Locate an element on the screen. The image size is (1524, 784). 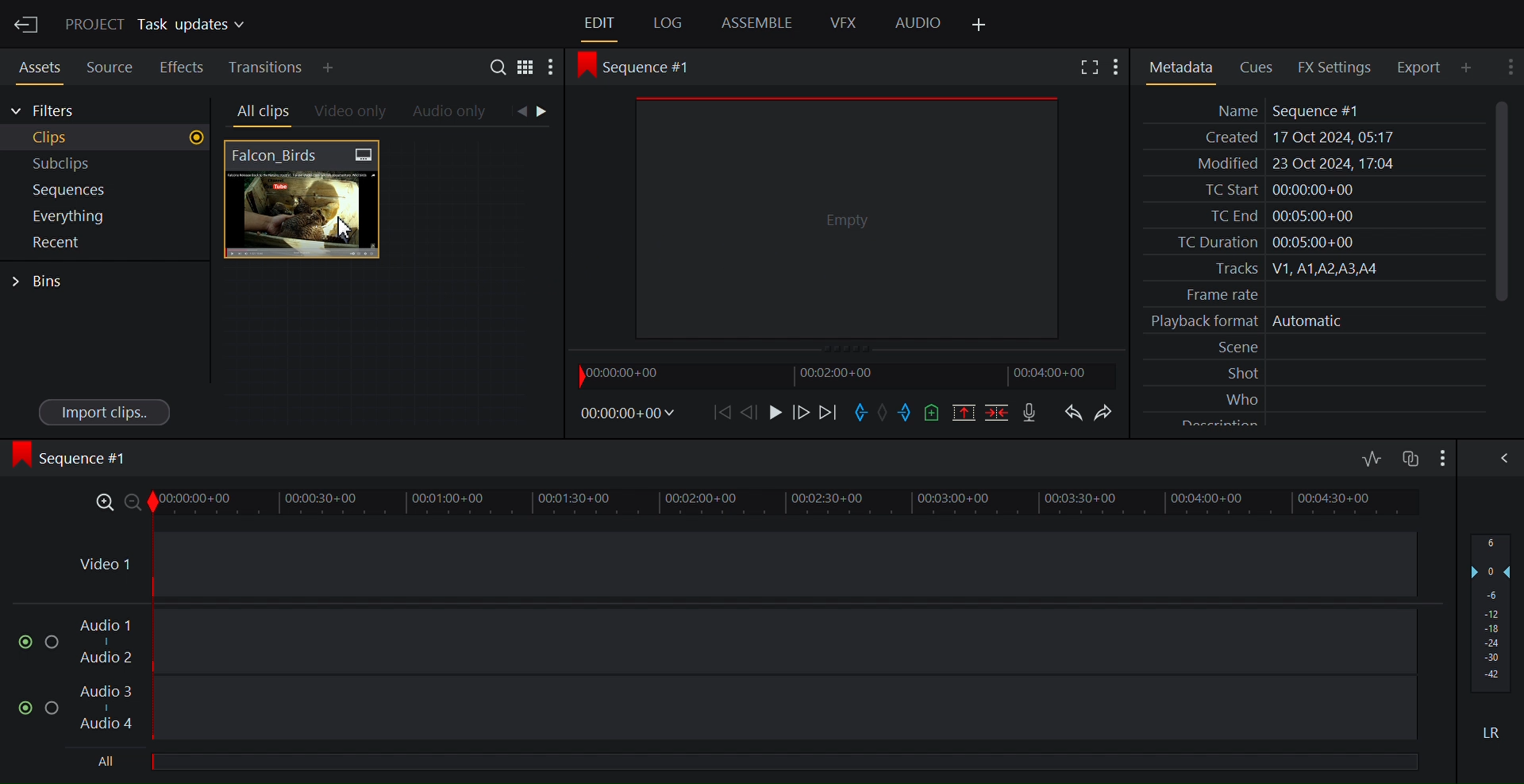
Add Panel is located at coordinates (978, 25).